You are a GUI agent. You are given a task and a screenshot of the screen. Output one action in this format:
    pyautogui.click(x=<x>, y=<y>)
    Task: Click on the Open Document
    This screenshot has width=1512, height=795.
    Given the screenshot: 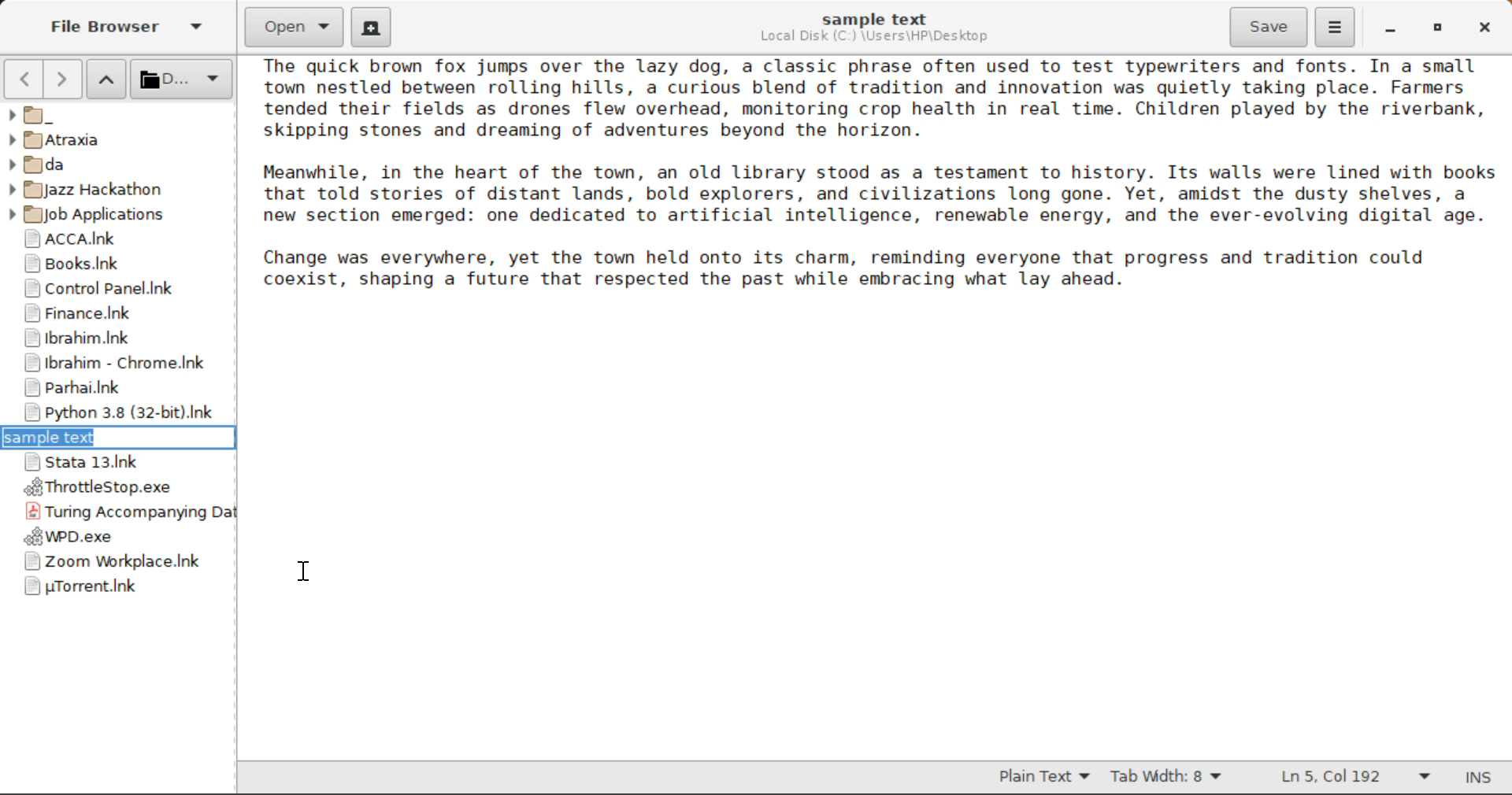 What is the action you would take?
    pyautogui.click(x=295, y=25)
    